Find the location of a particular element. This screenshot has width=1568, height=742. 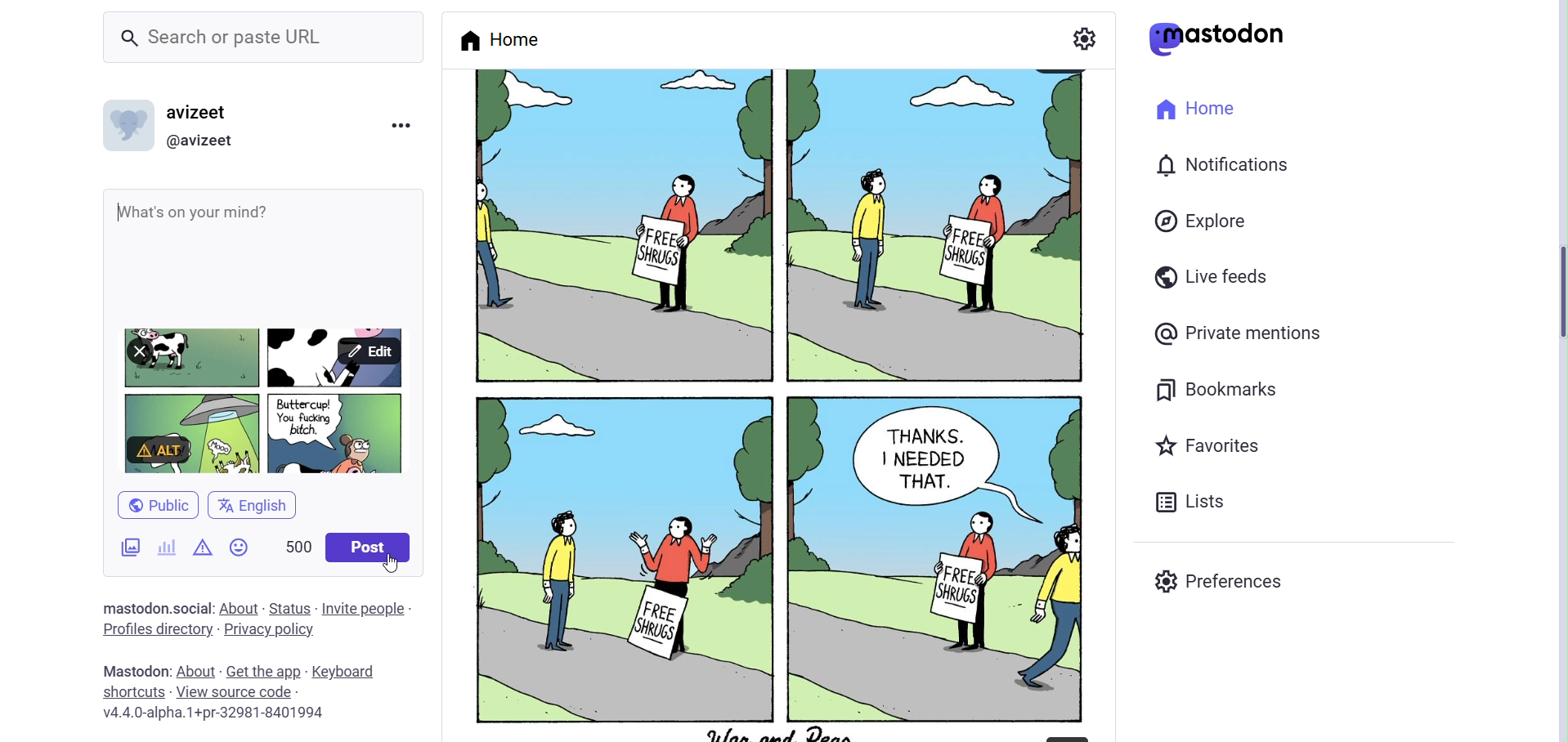

Status is located at coordinates (290, 609).